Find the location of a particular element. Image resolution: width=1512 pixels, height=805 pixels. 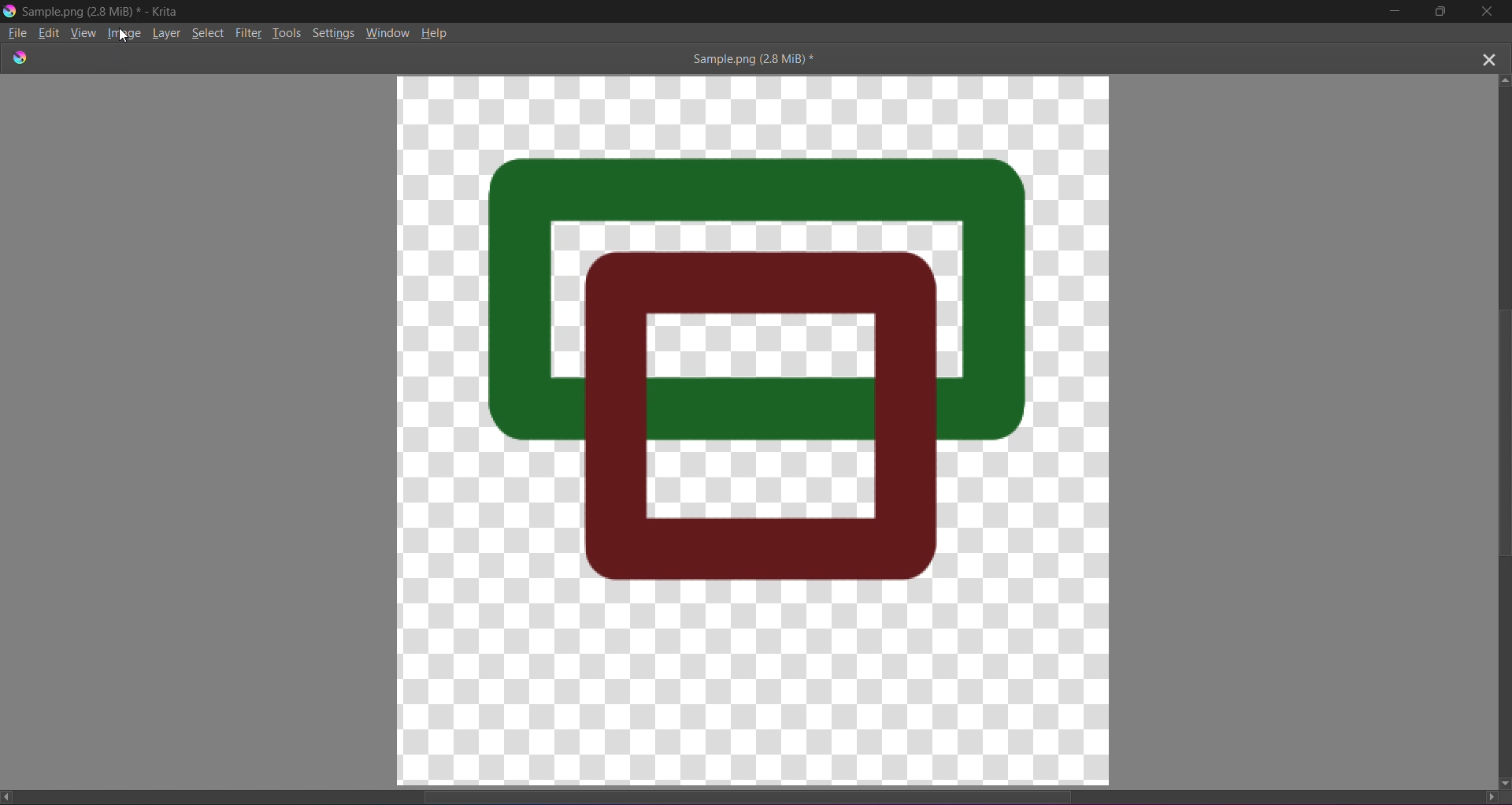

Settings is located at coordinates (334, 32).